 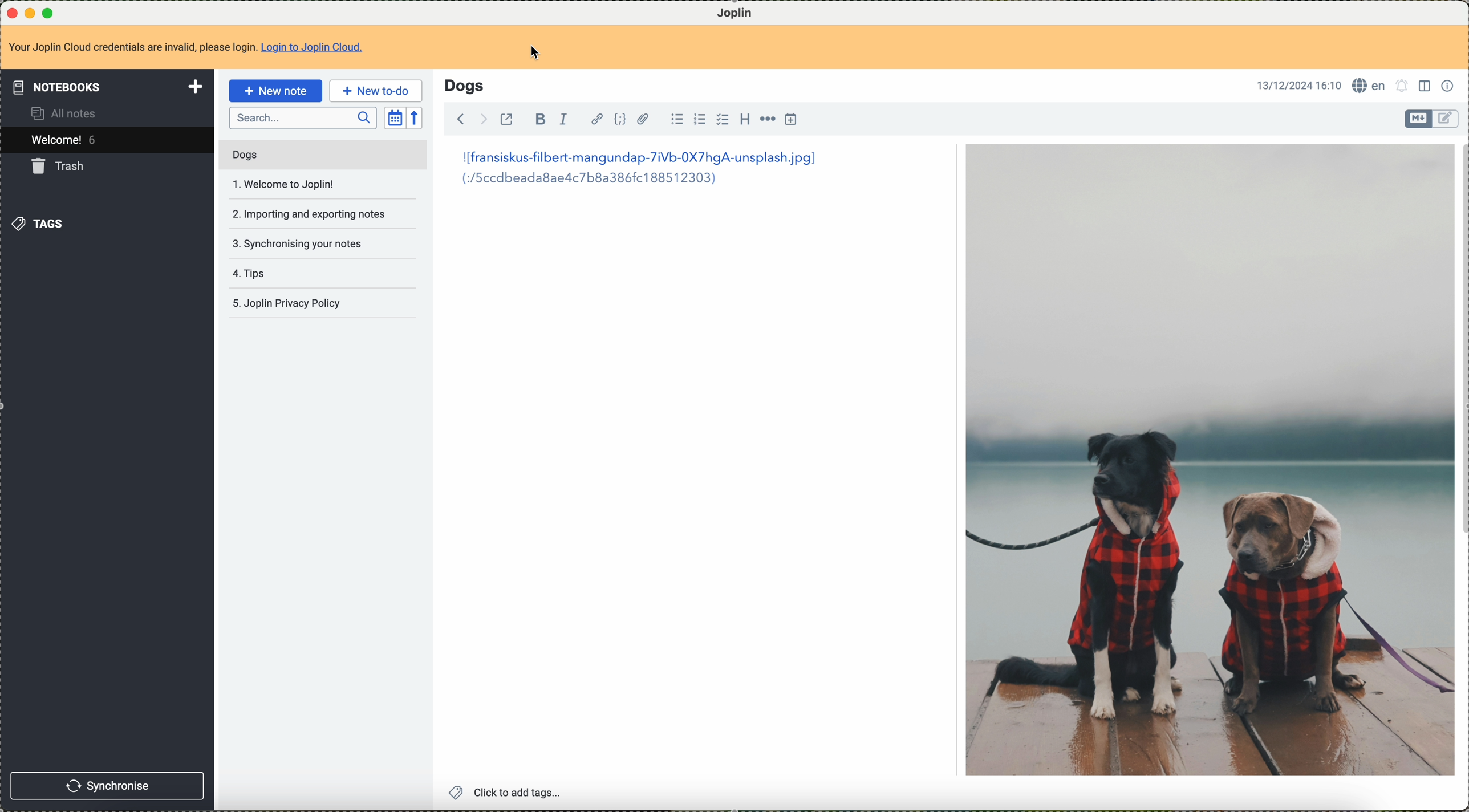 I want to click on new to-do, so click(x=375, y=91).